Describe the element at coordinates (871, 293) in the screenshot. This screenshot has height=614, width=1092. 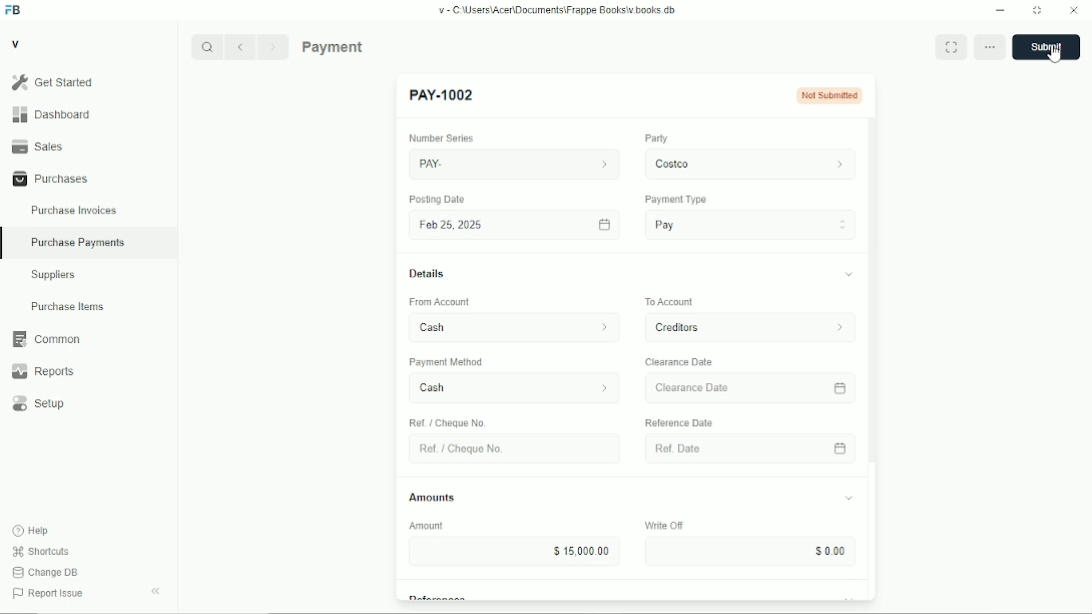
I see `vertical scrollbar` at that location.